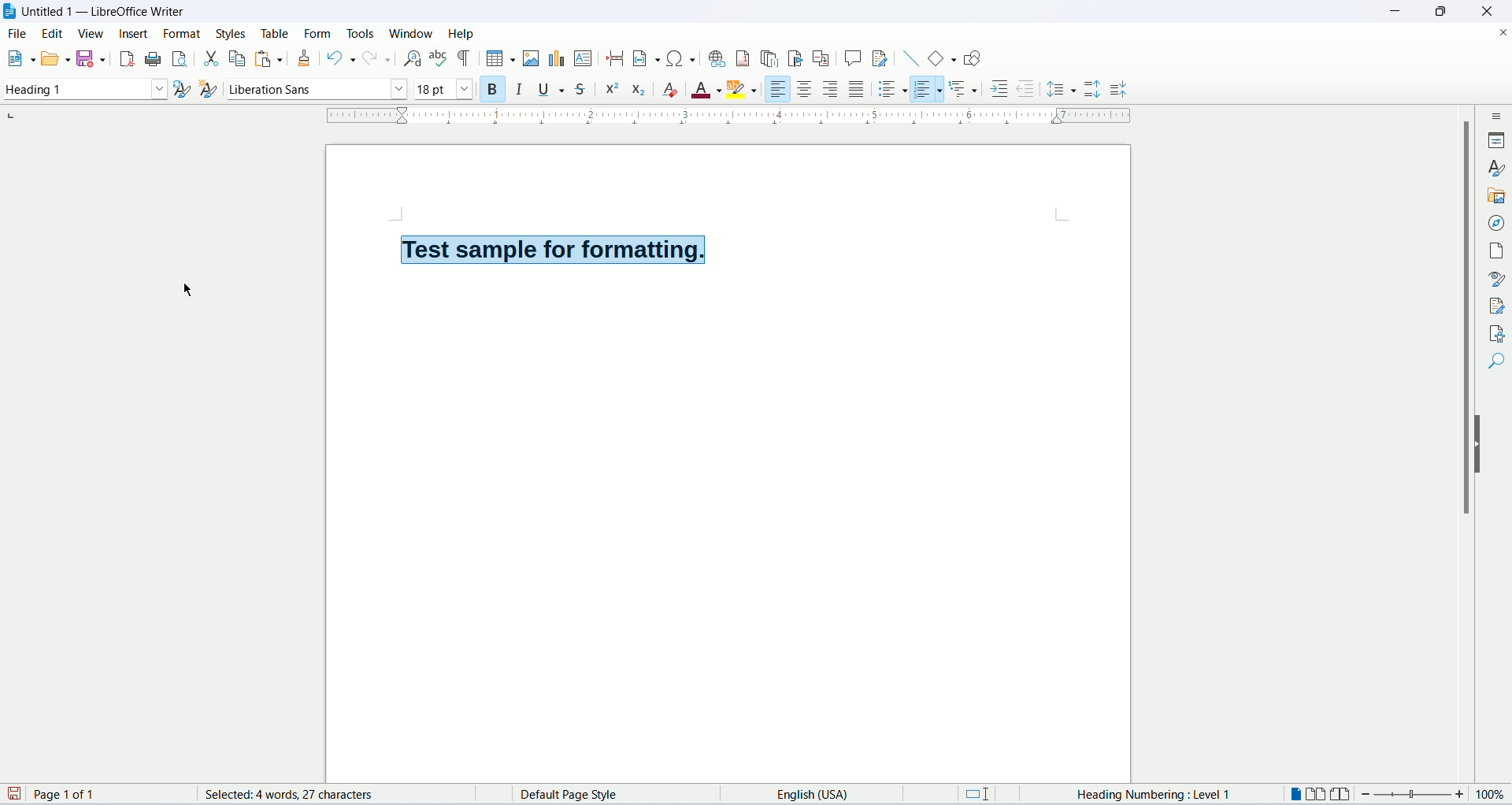  What do you see at coordinates (1495, 224) in the screenshot?
I see `navigator` at bounding box center [1495, 224].